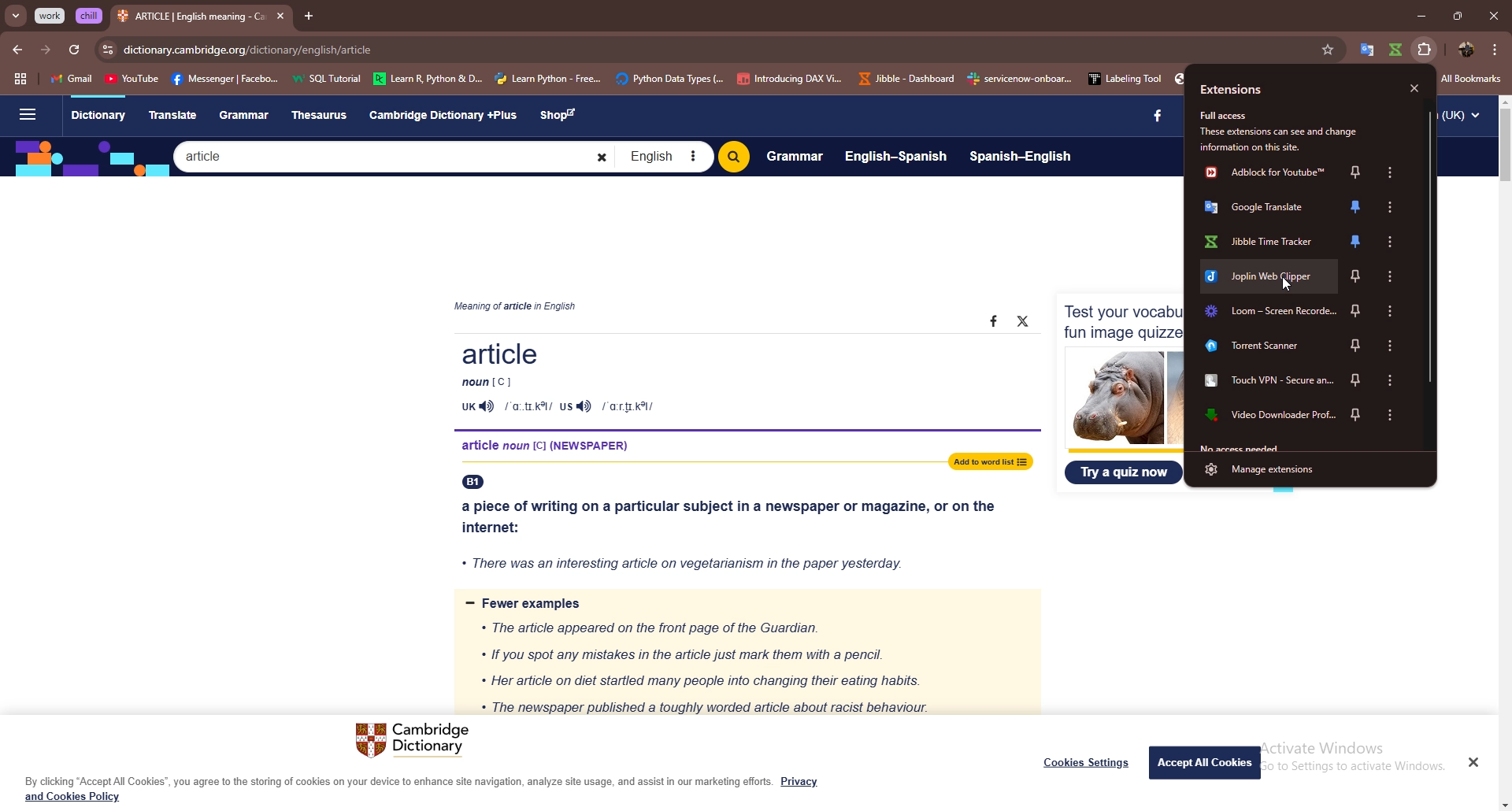  I want to click on resize, so click(1457, 15).